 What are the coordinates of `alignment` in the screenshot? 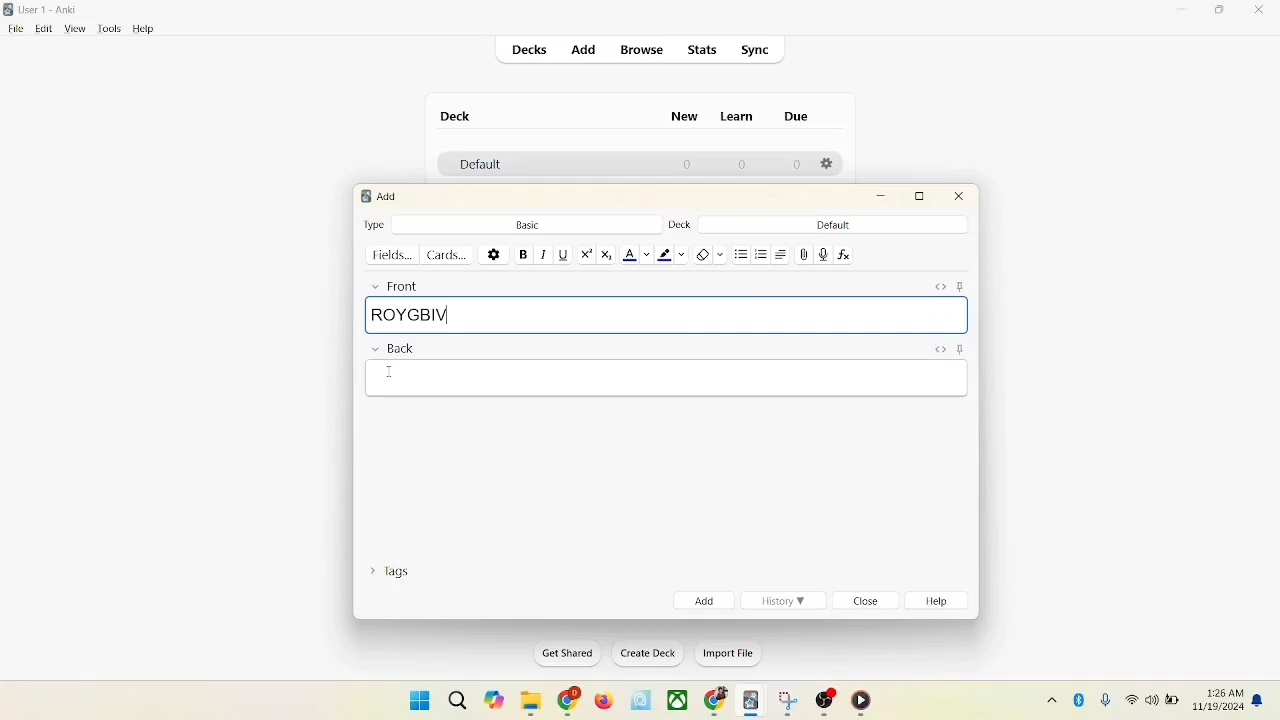 It's located at (783, 254).